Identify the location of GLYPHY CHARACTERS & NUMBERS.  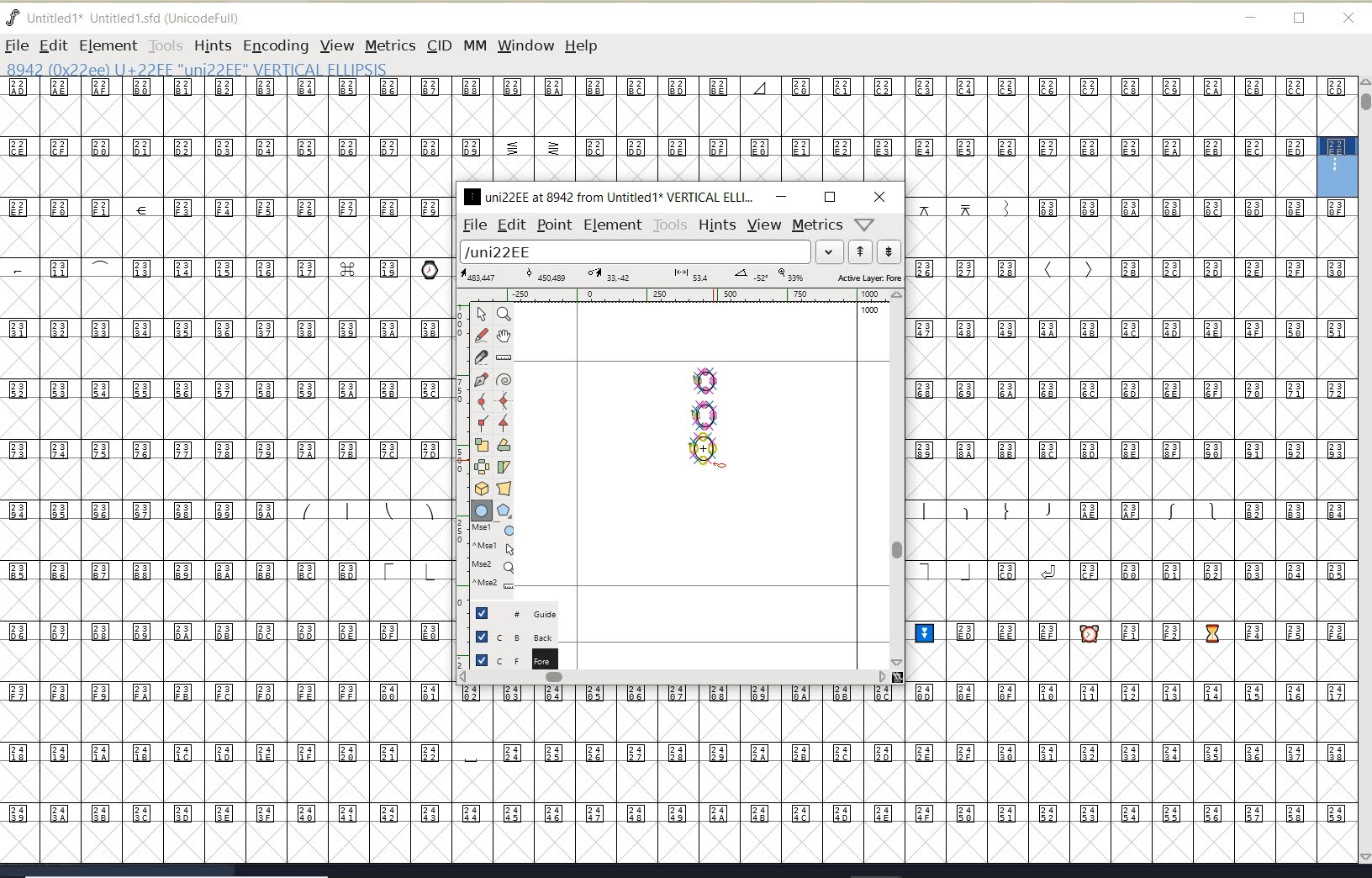
(657, 130).